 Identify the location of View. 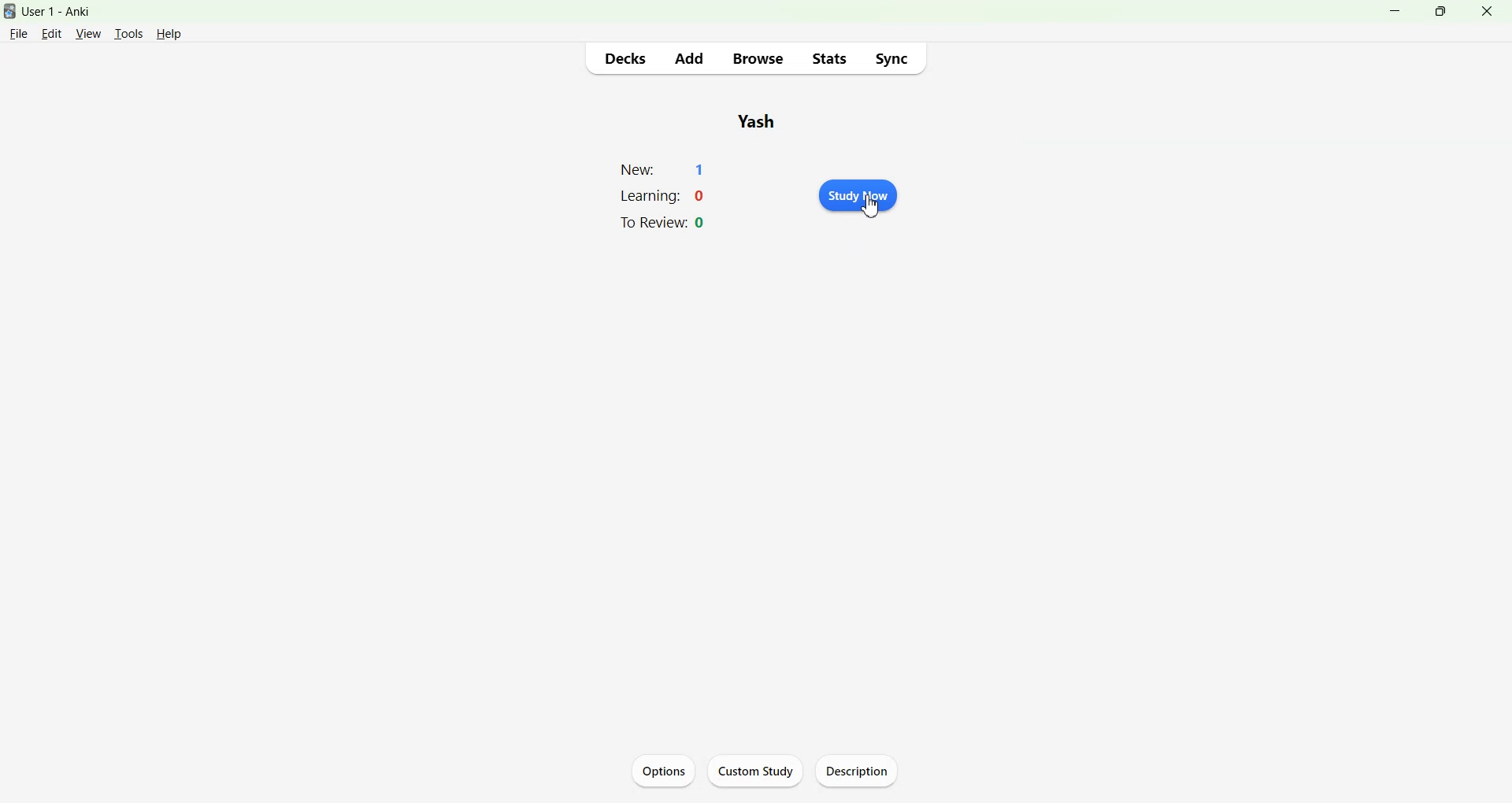
(89, 33).